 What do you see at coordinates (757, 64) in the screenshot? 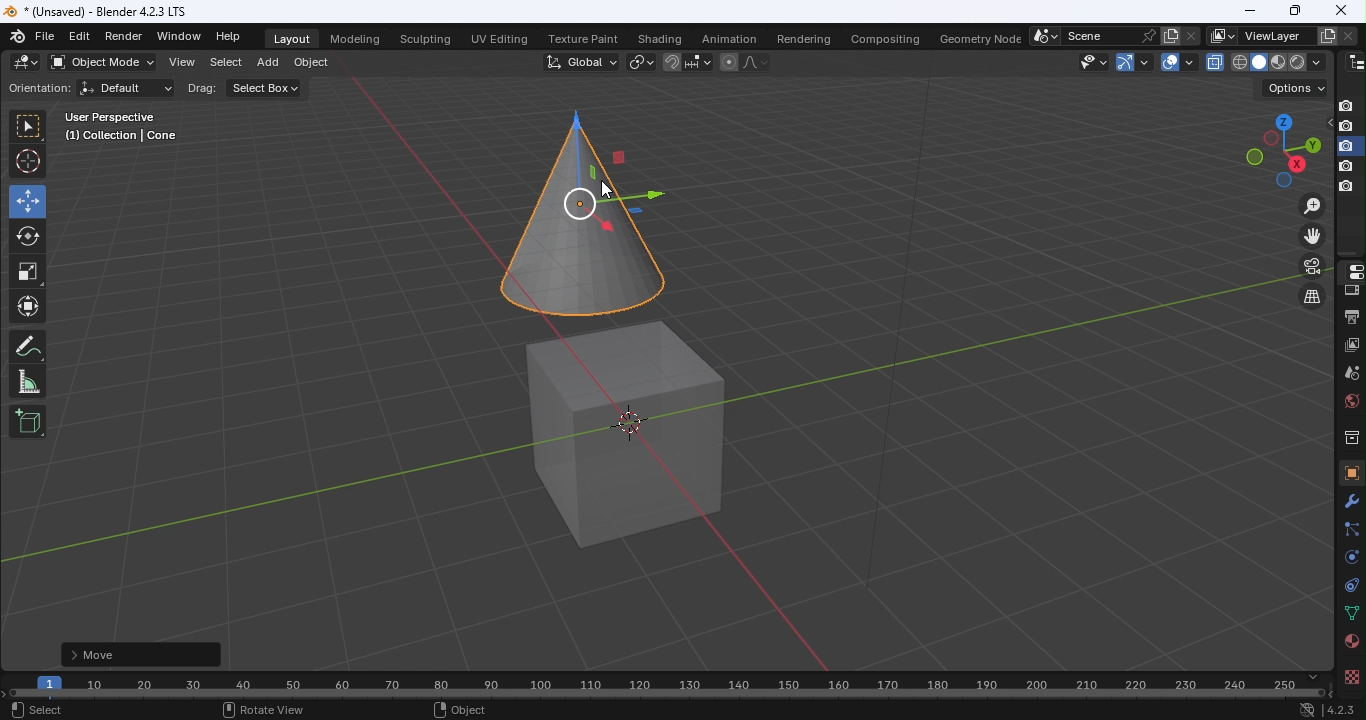
I see `Proportional editing falloff` at bounding box center [757, 64].